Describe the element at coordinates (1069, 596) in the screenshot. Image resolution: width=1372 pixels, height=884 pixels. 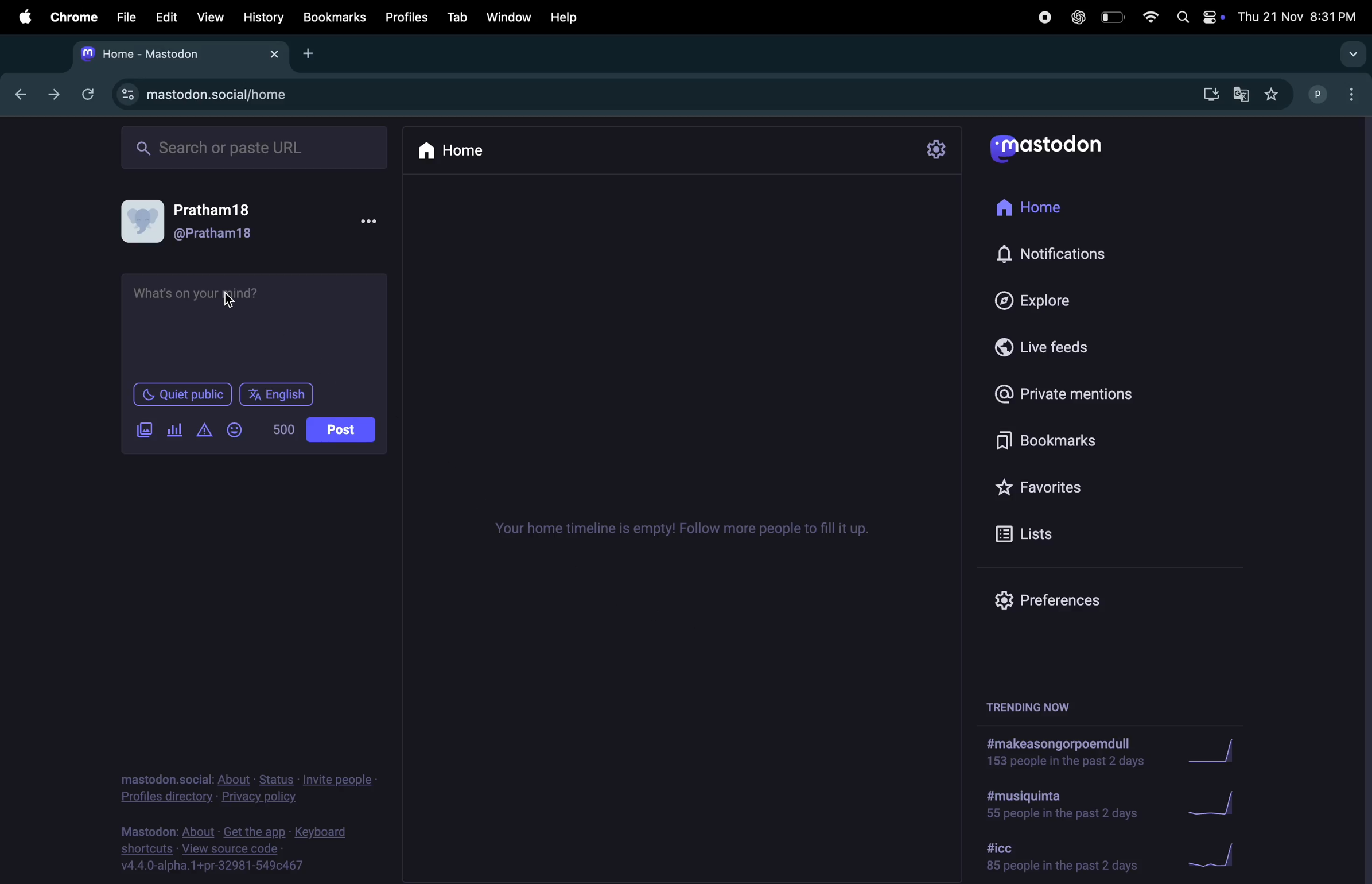
I see `prefrences` at that location.